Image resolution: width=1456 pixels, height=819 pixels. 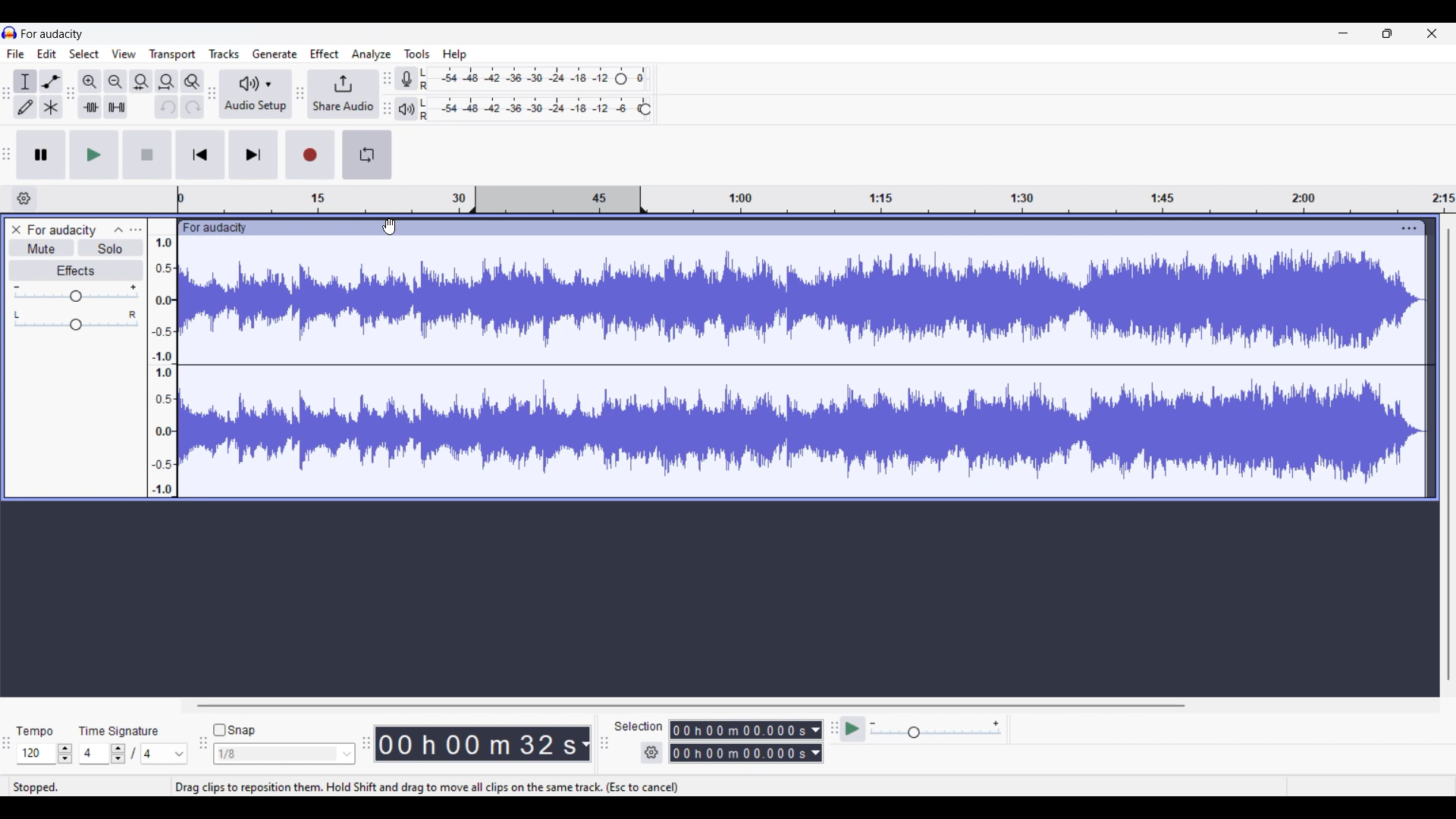 What do you see at coordinates (455, 55) in the screenshot?
I see `Help menu` at bounding box center [455, 55].